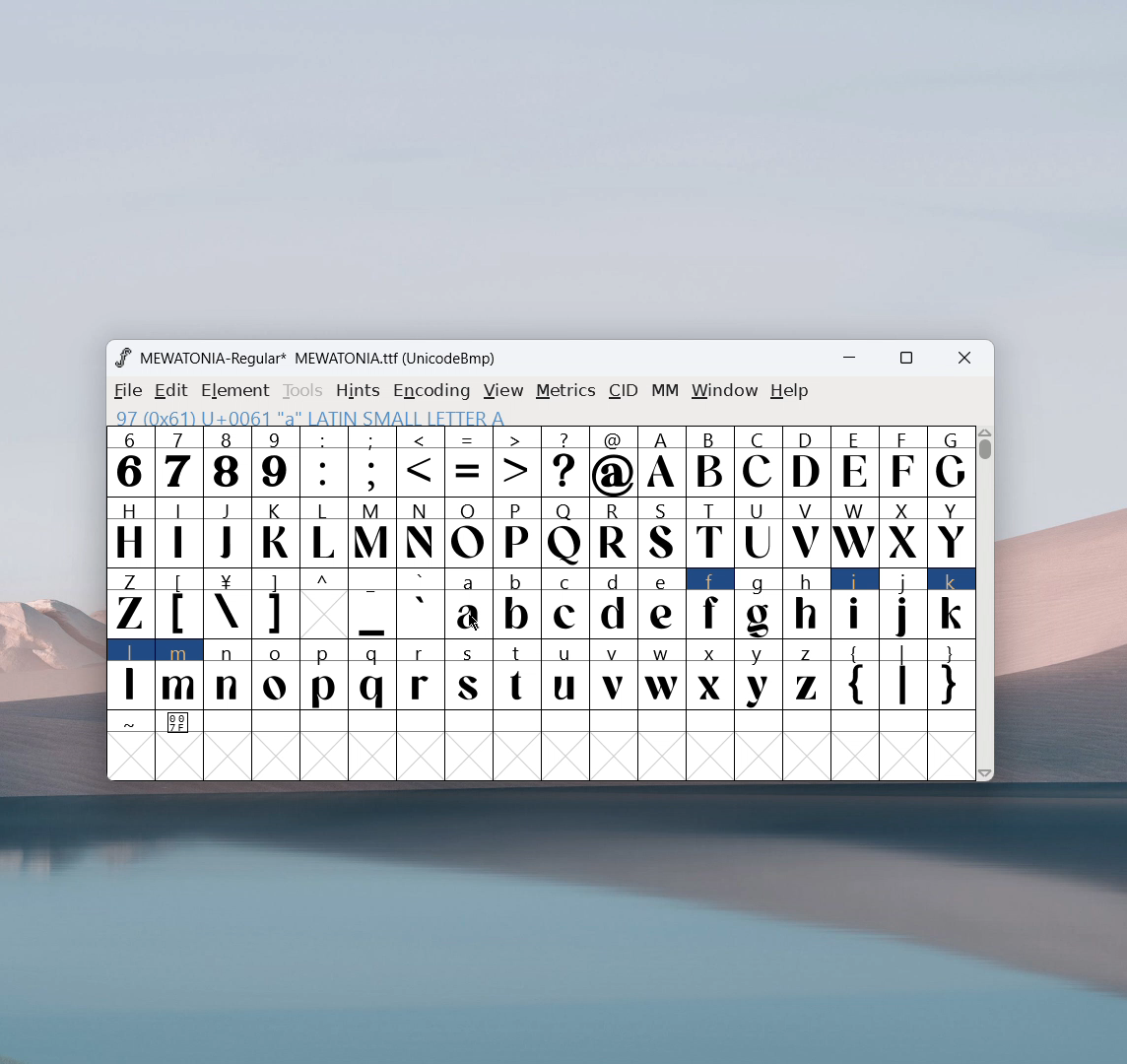 The width and height of the screenshot is (1127, 1064). Describe the element at coordinates (321, 359) in the screenshot. I see `MEWATONIA-Regular* MEWATONIA.ttf (UnicodeBmp)` at that location.